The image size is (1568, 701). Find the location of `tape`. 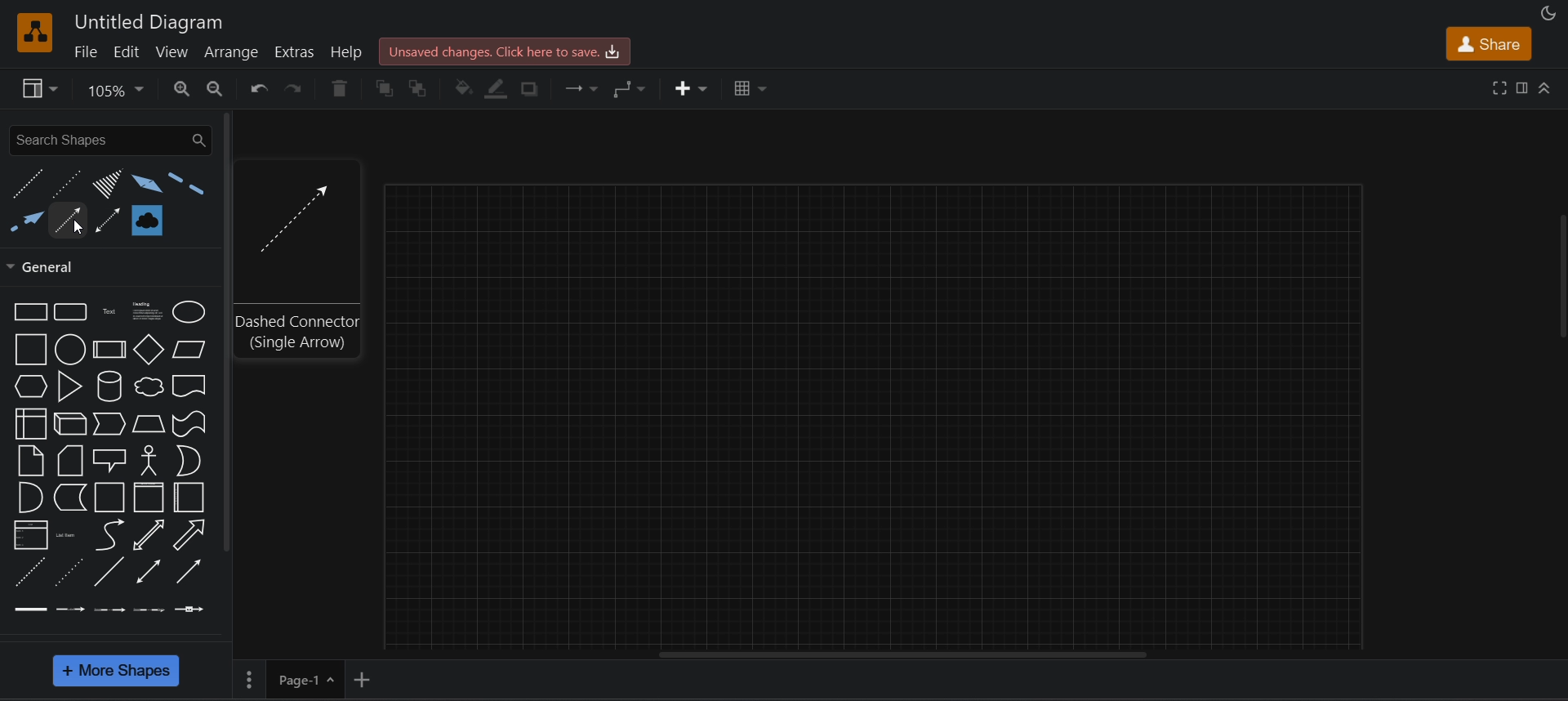

tape is located at coordinates (192, 424).